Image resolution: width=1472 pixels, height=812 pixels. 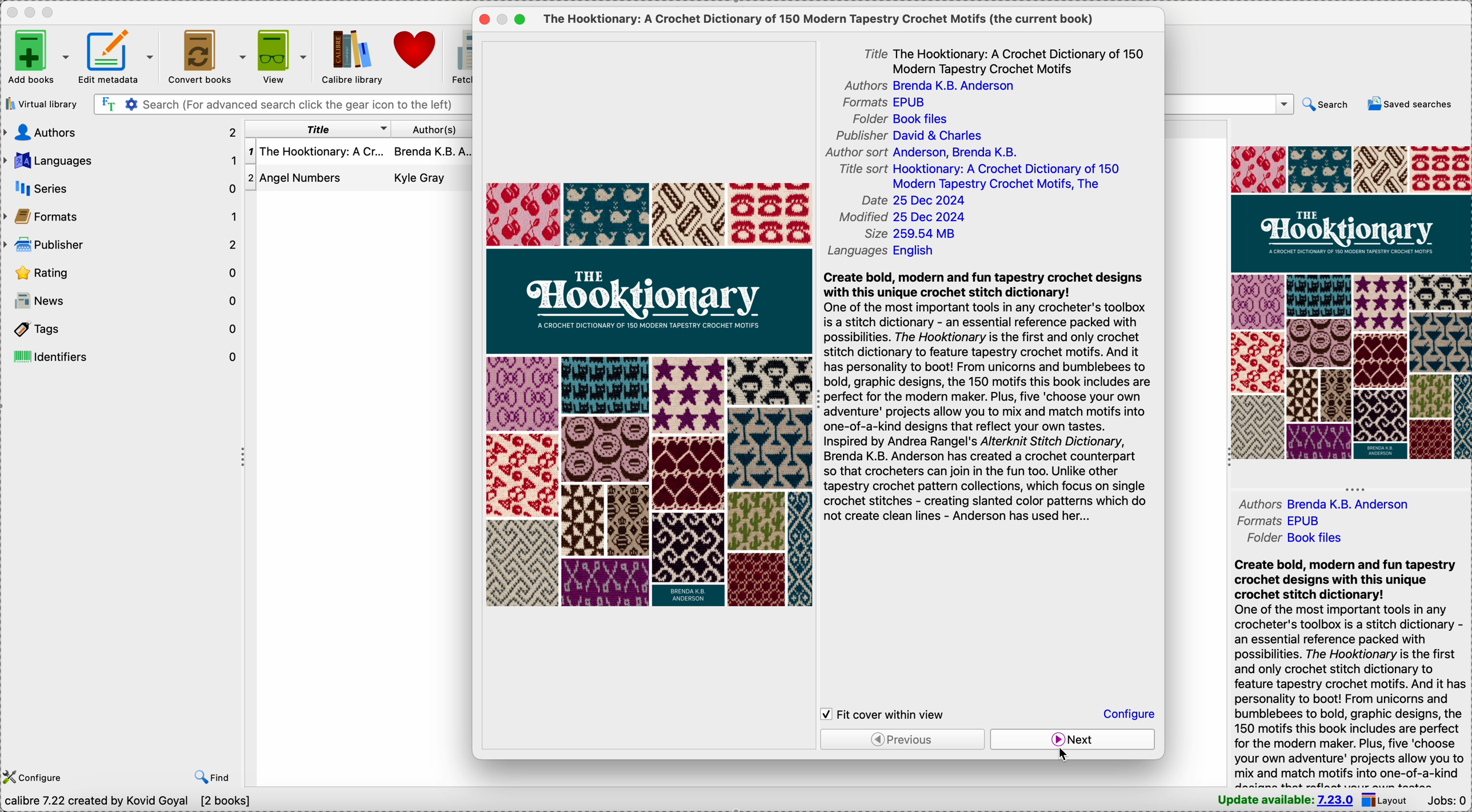 I want to click on size, so click(x=913, y=234).